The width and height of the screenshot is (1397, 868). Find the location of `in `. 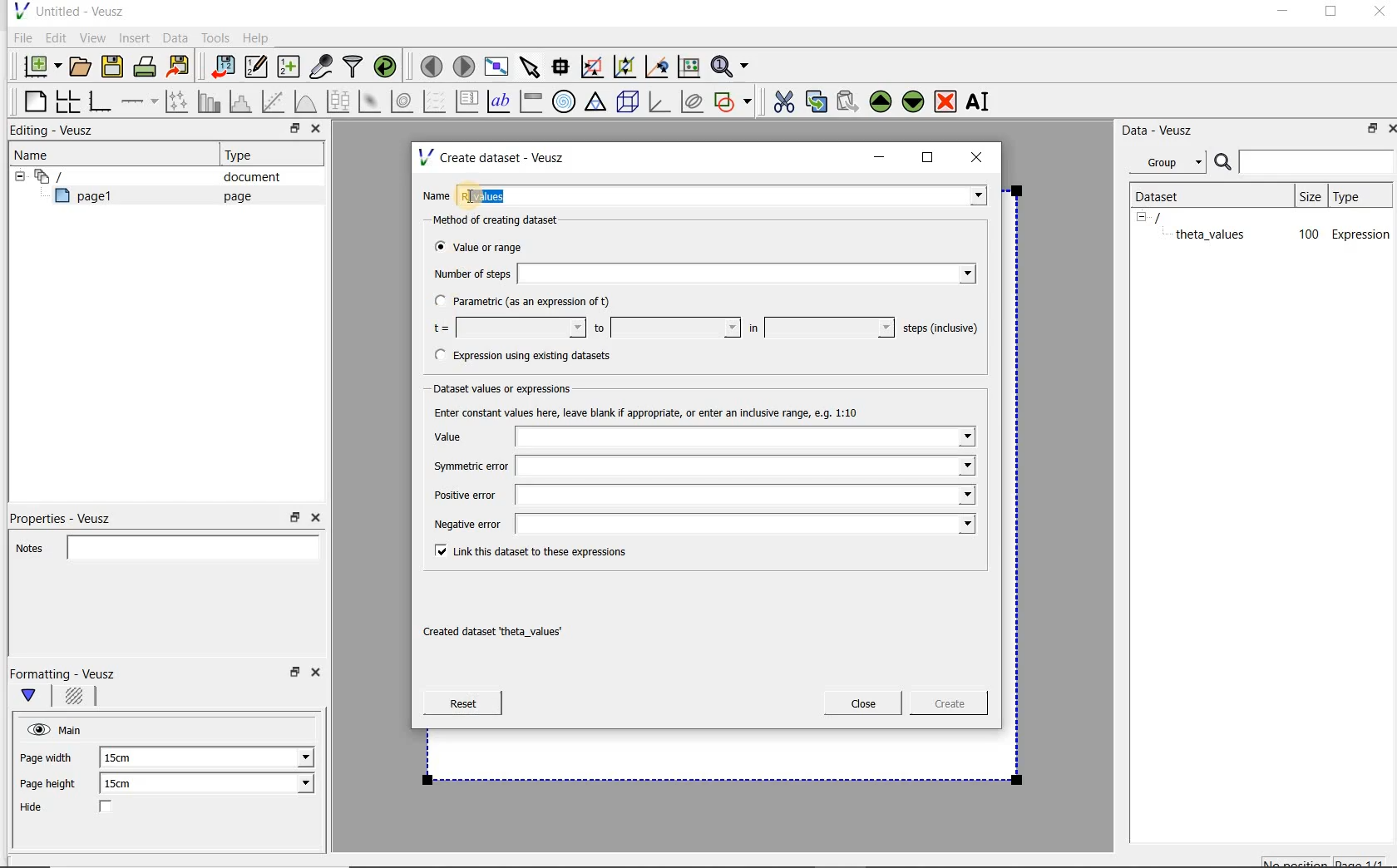

in  is located at coordinates (819, 328).